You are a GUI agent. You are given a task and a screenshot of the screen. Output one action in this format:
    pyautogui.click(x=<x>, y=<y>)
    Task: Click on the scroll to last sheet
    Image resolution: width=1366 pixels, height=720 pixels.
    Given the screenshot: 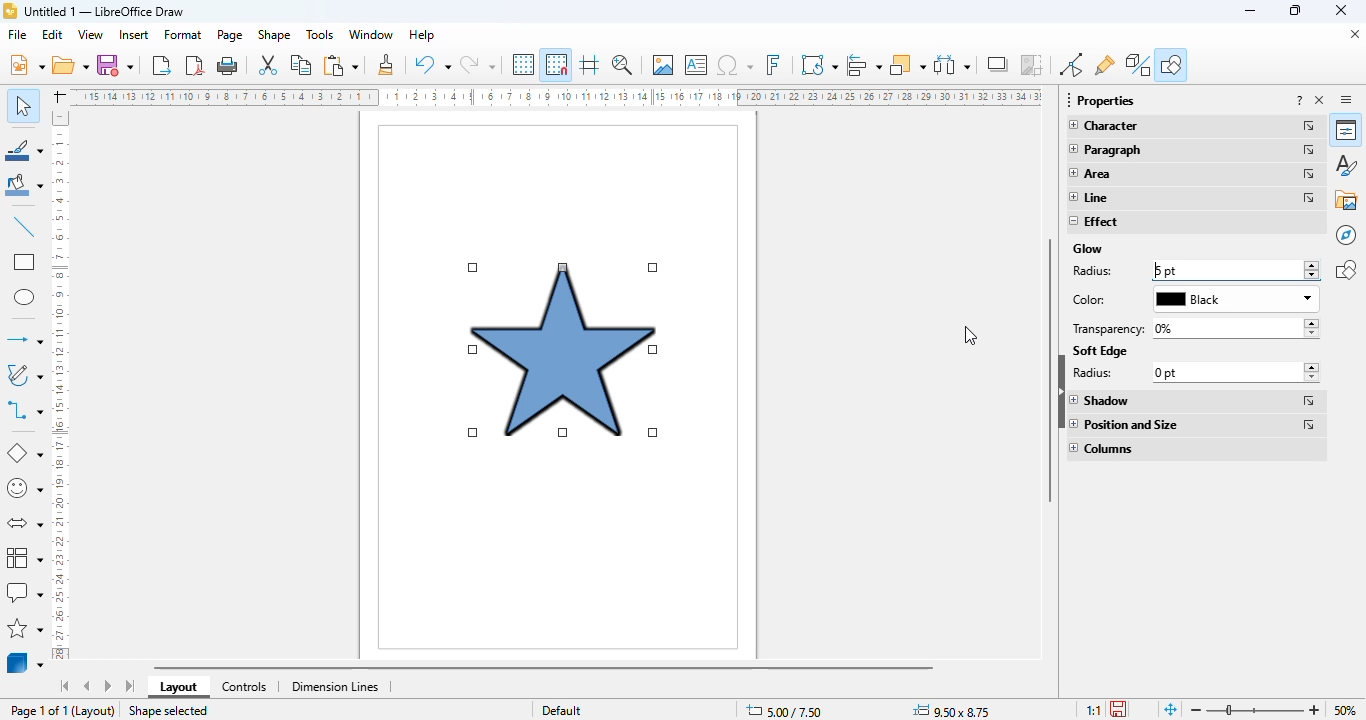 What is the action you would take?
    pyautogui.click(x=131, y=686)
    